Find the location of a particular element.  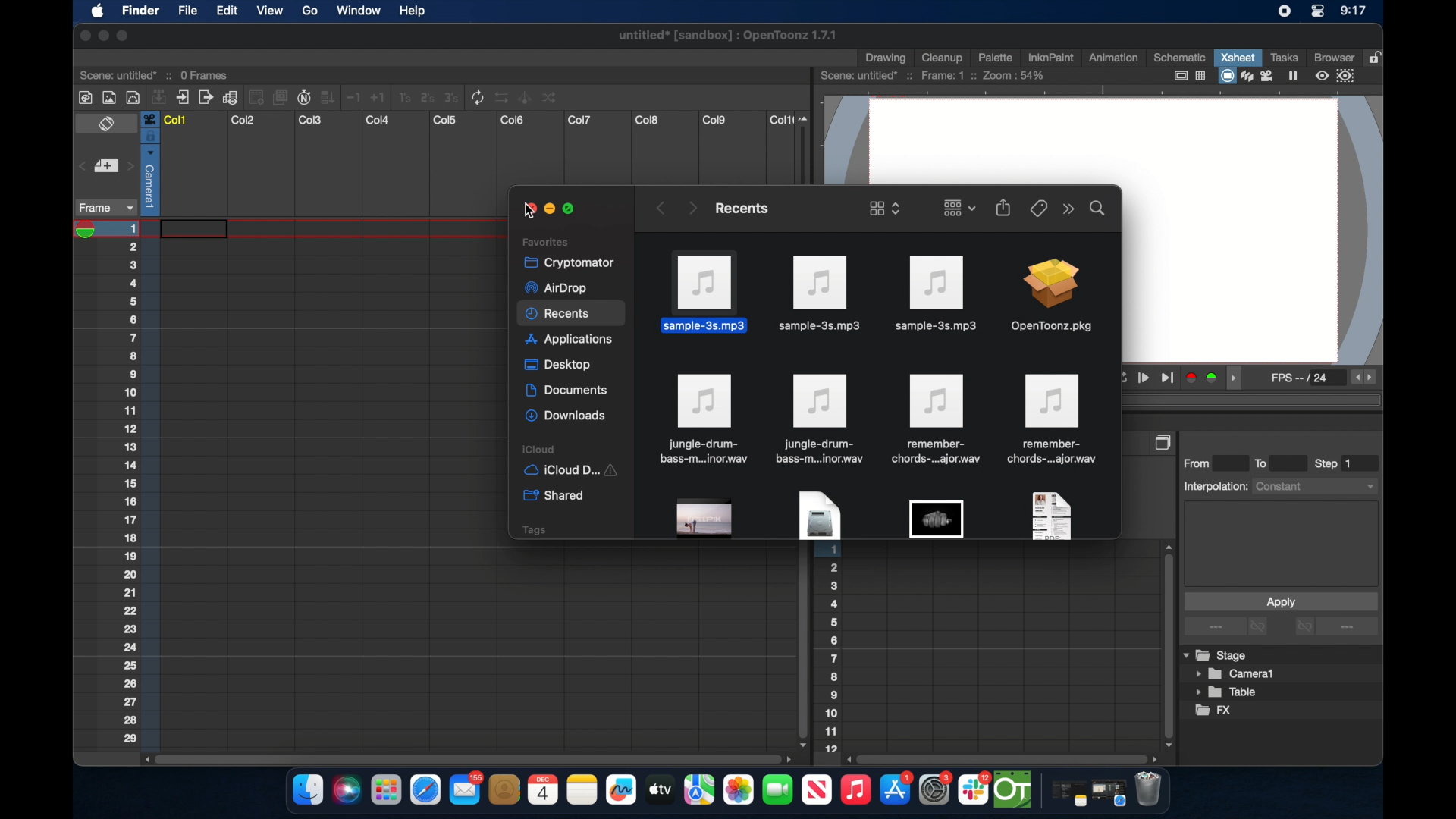

more options is located at coordinates (1068, 209).